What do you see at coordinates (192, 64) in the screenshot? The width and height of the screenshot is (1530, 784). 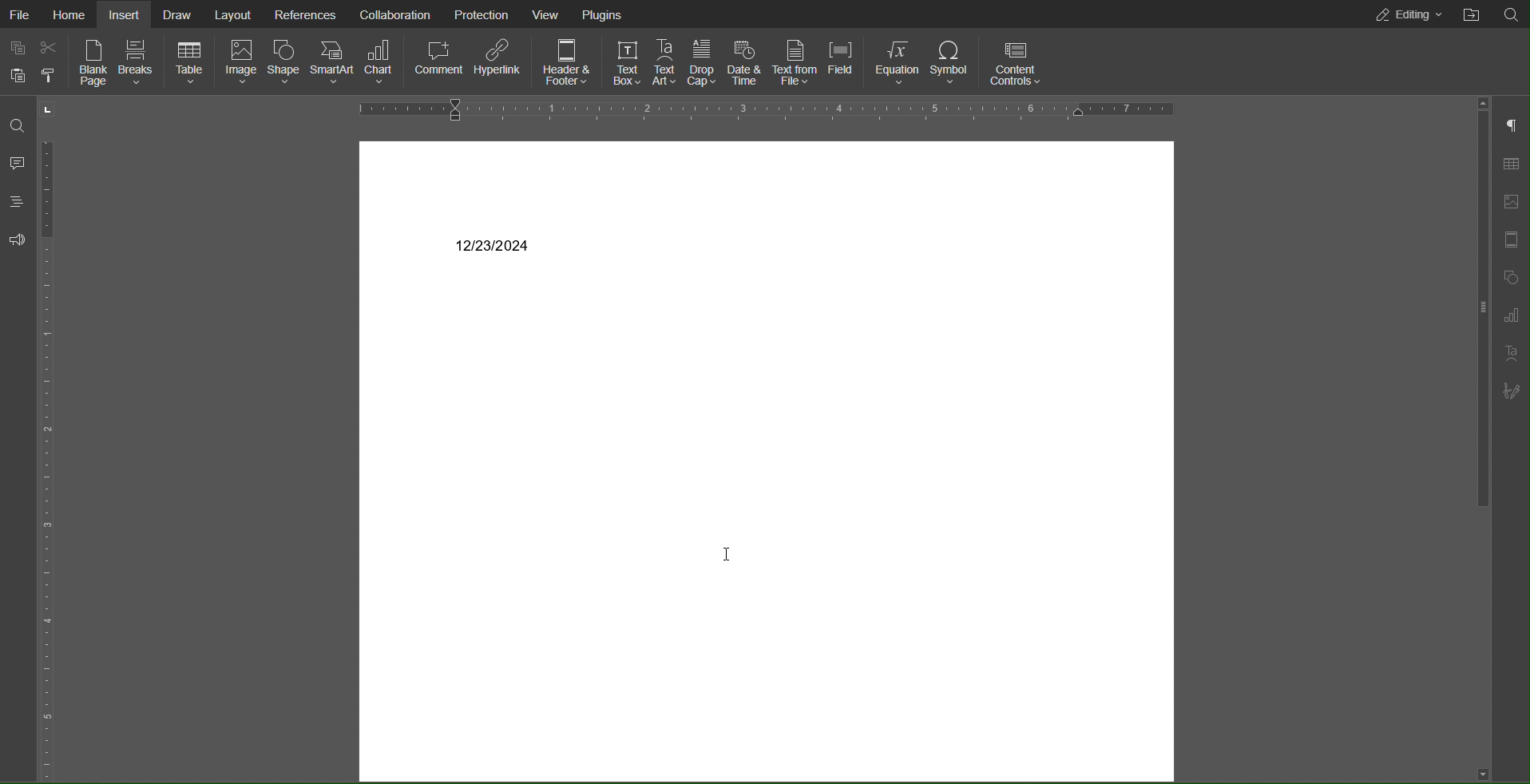 I see `Table` at bounding box center [192, 64].